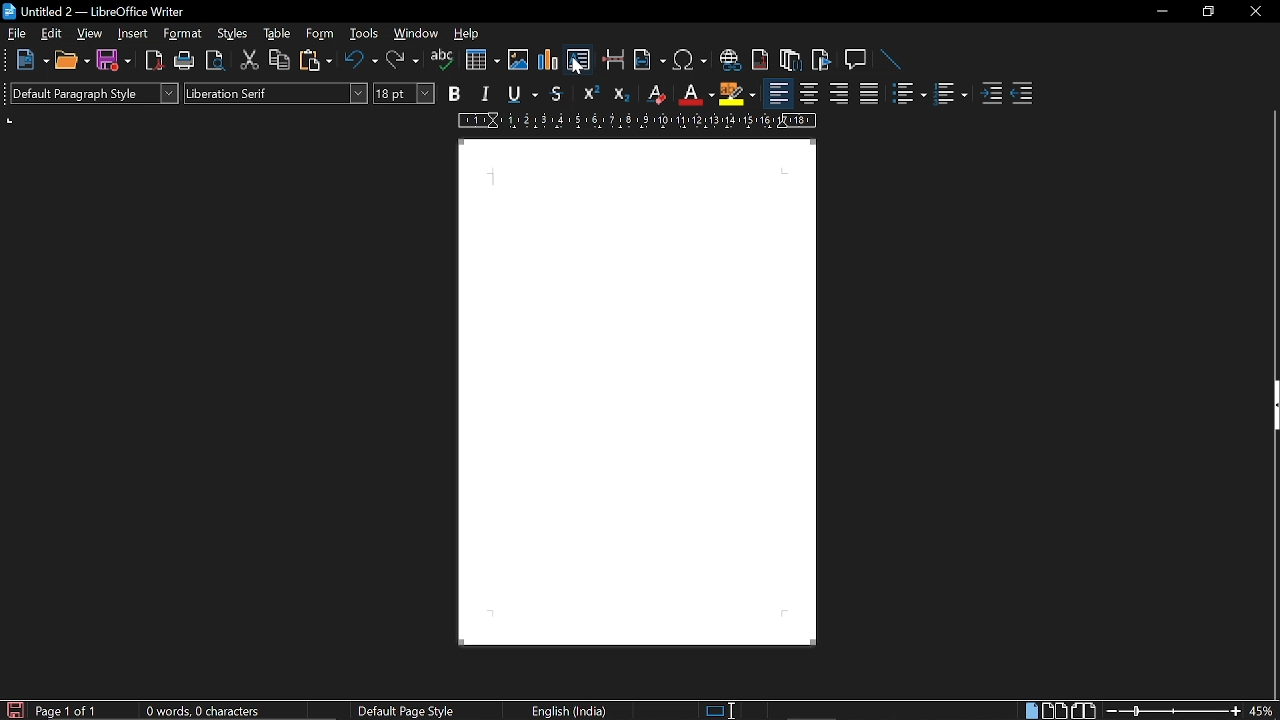 The image size is (1280, 720). What do you see at coordinates (321, 35) in the screenshot?
I see `form` at bounding box center [321, 35].